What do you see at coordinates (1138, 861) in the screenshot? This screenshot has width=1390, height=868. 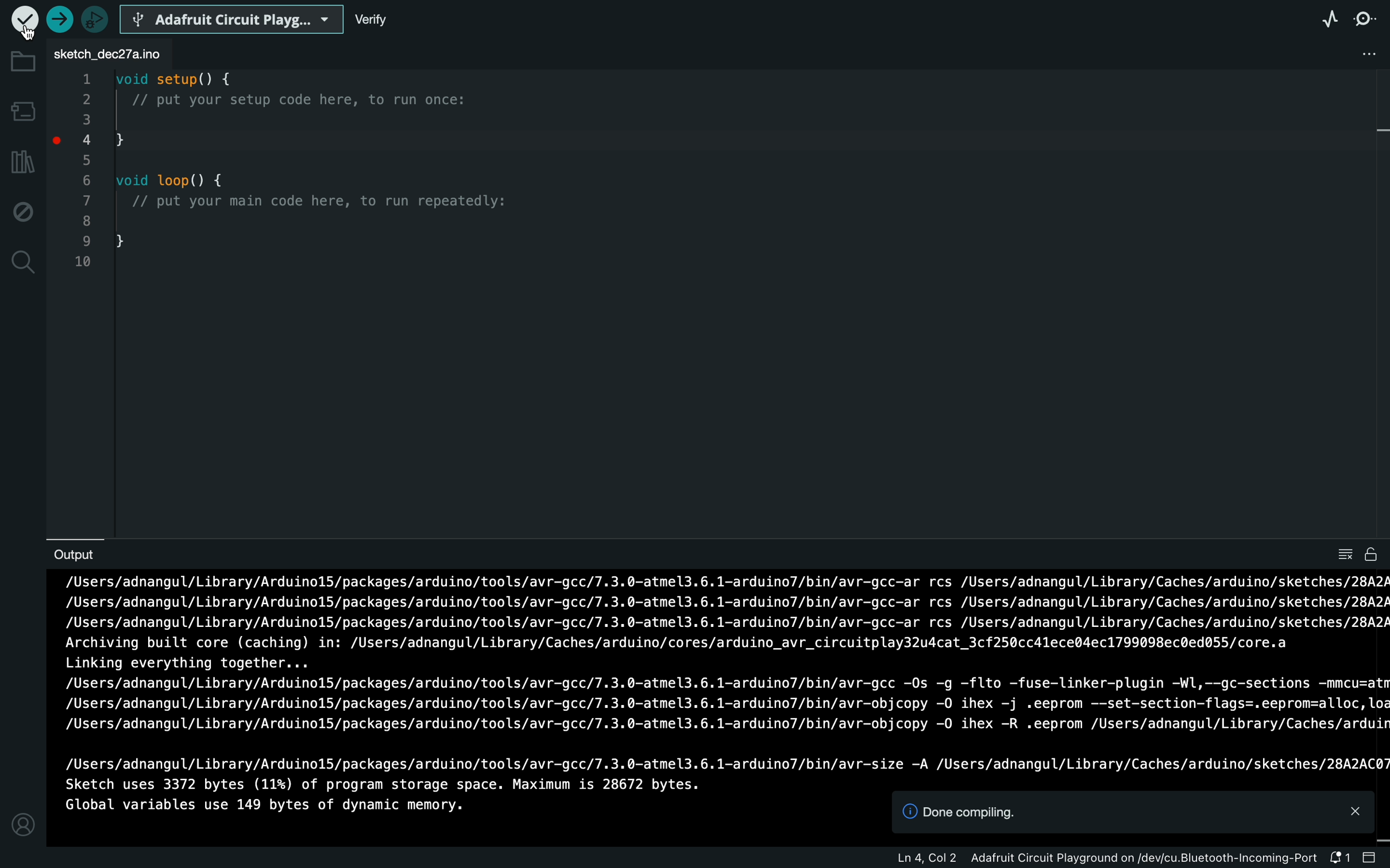 I see `file information` at bounding box center [1138, 861].